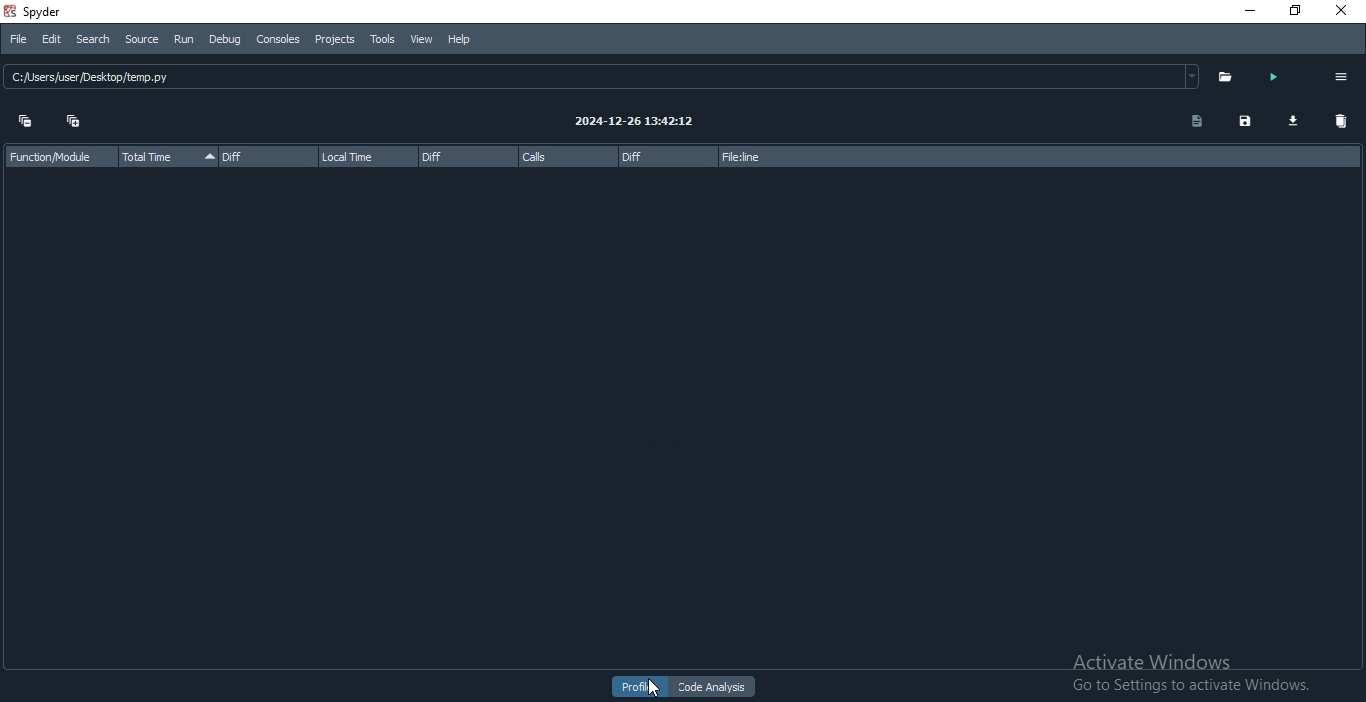 The image size is (1366, 702). Describe the element at coordinates (382, 39) in the screenshot. I see `Tools` at that location.